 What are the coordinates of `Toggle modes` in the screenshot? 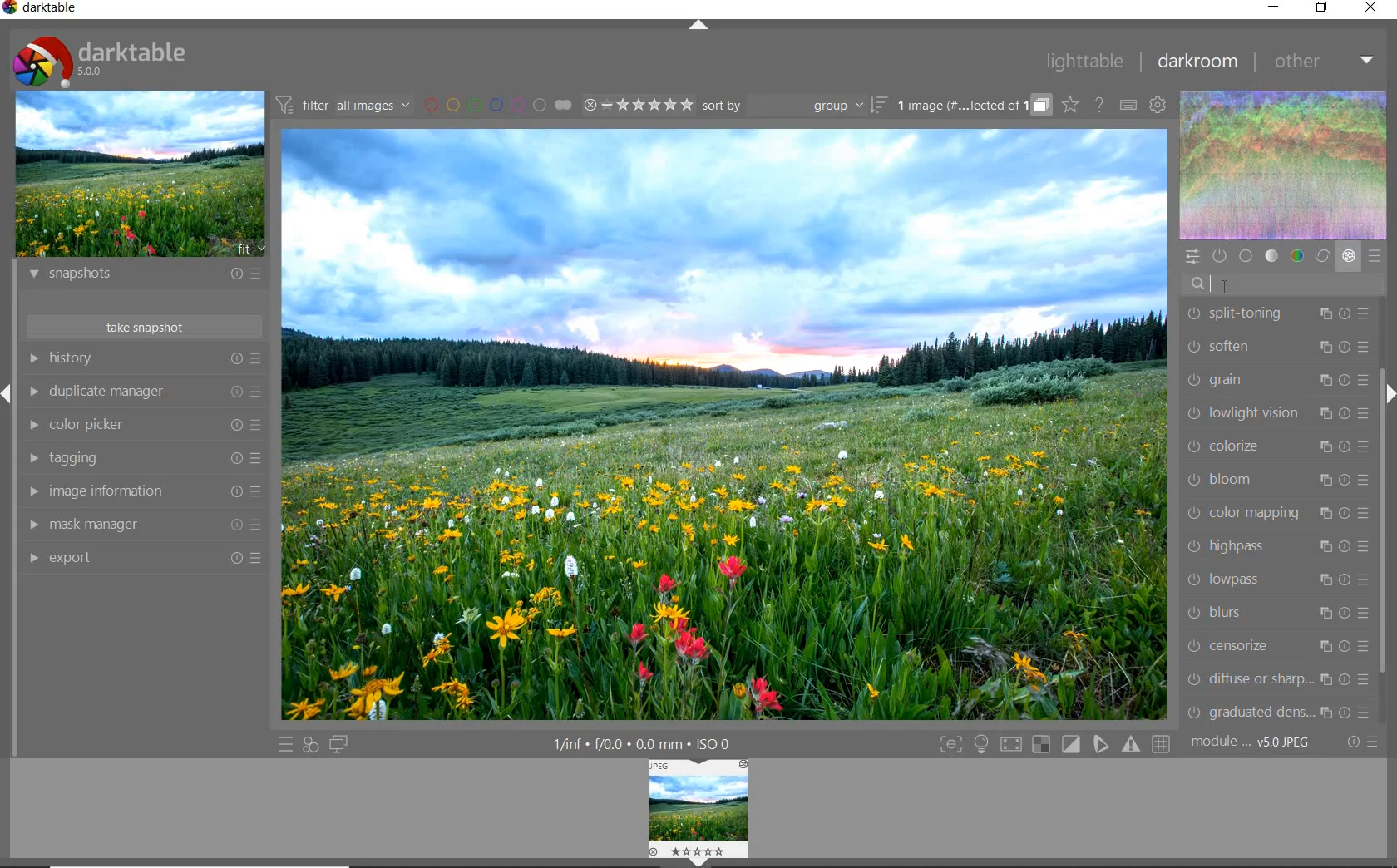 It's located at (1054, 745).